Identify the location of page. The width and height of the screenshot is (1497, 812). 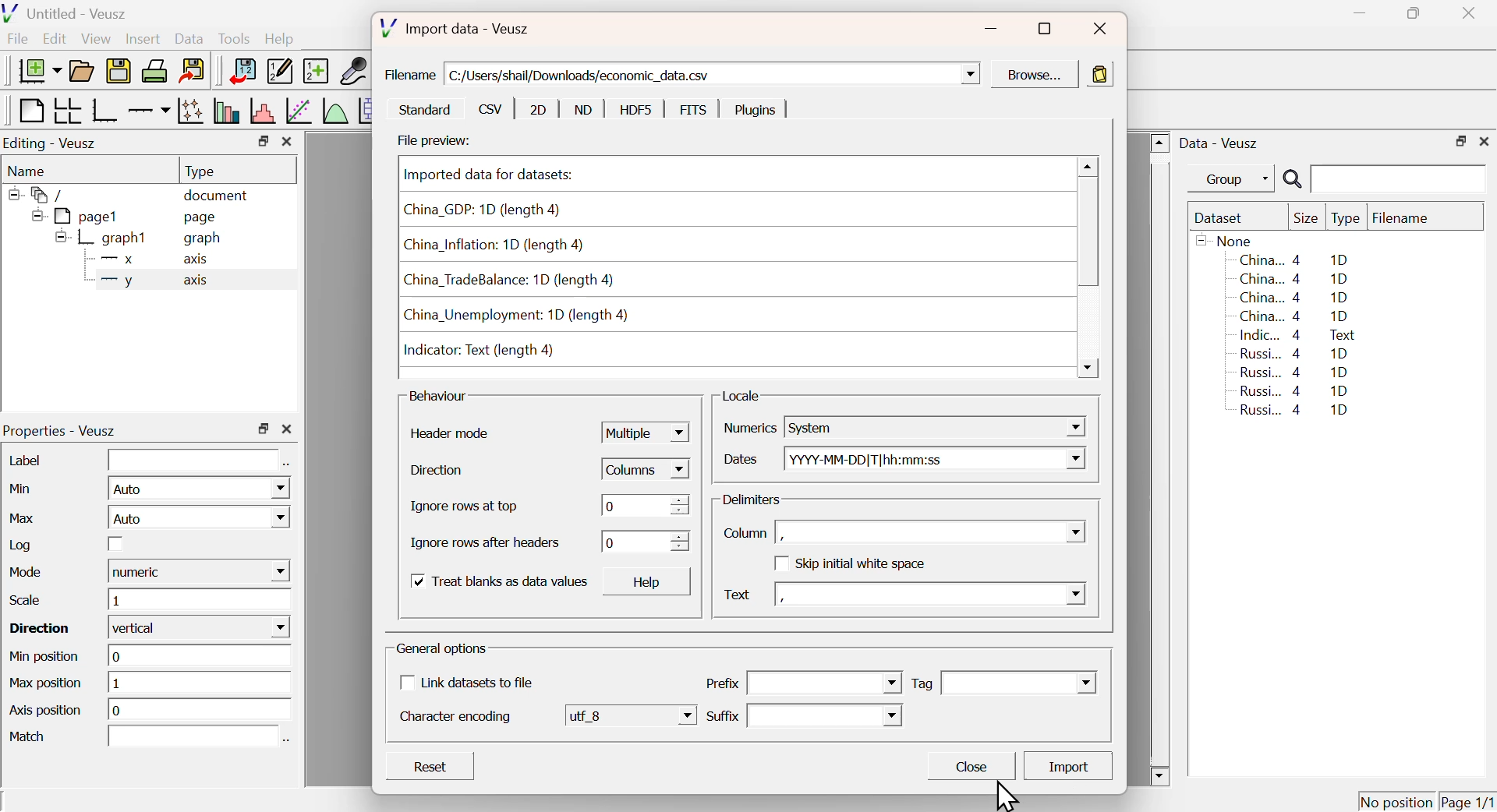
(203, 217).